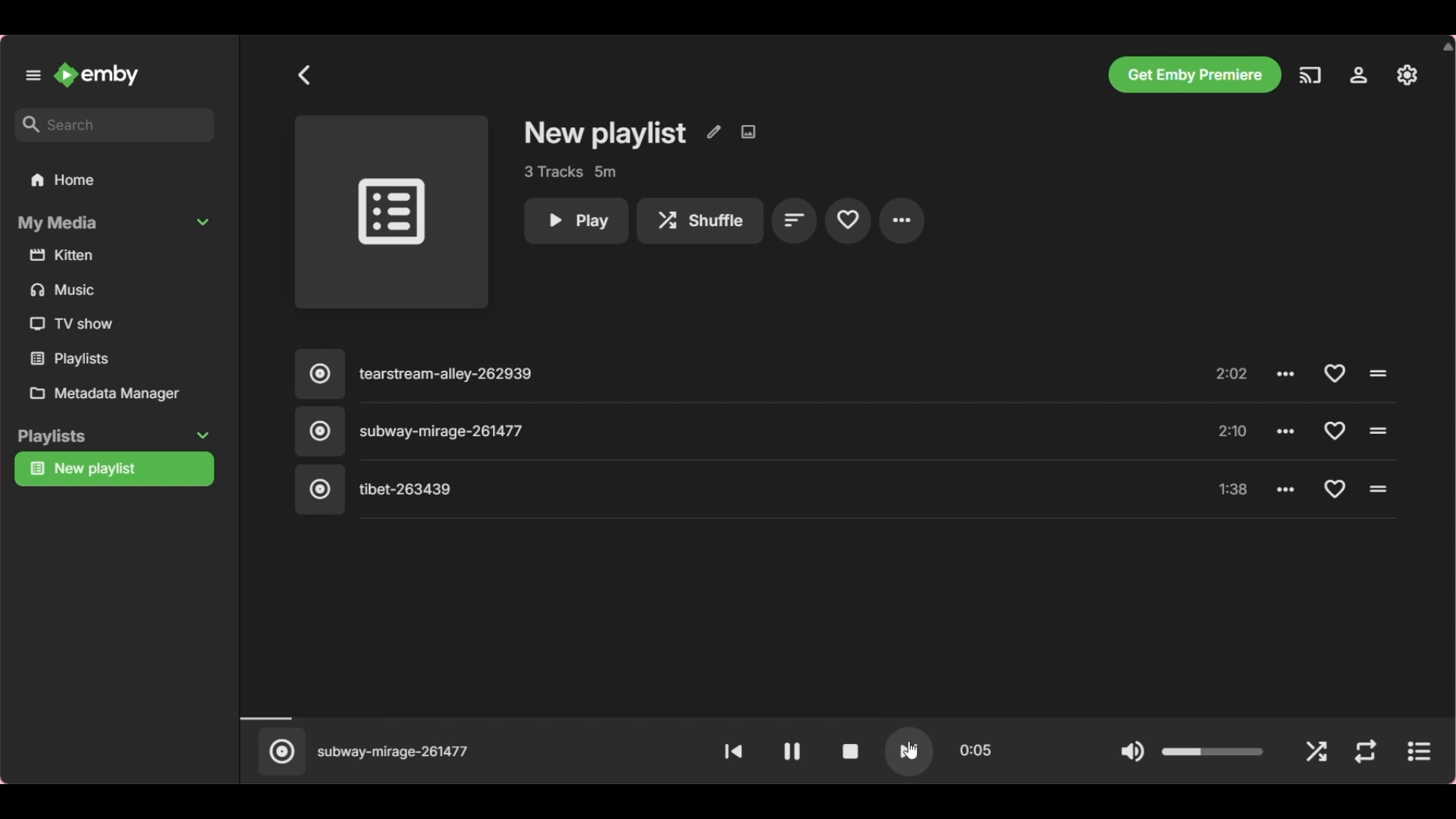 The image size is (1456, 819). What do you see at coordinates (76, 324) in the screenshot?
I see `tv show` at bounding box center [76, 324].